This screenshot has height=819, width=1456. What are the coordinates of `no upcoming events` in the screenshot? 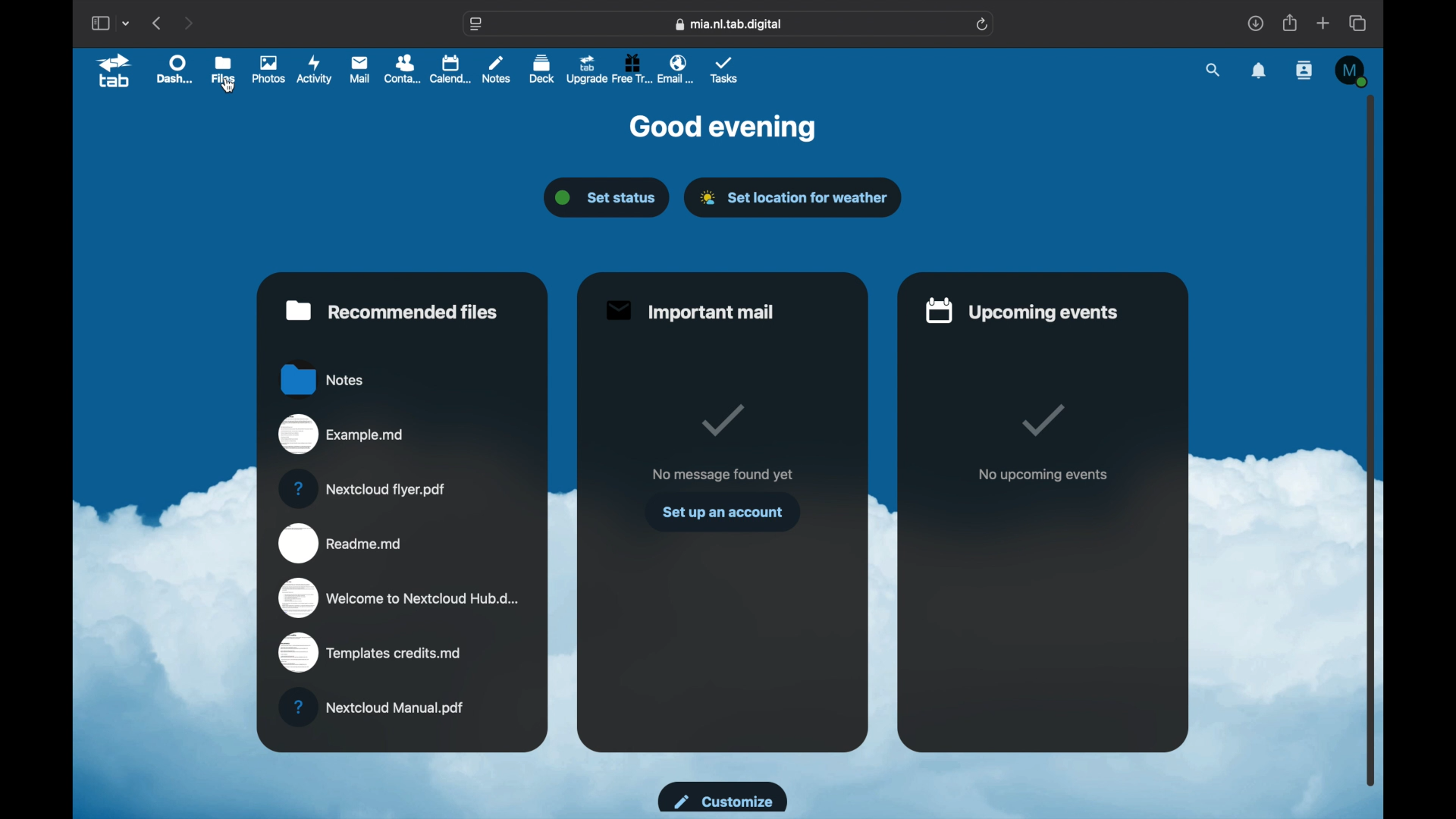 It's located at (1042, 475).